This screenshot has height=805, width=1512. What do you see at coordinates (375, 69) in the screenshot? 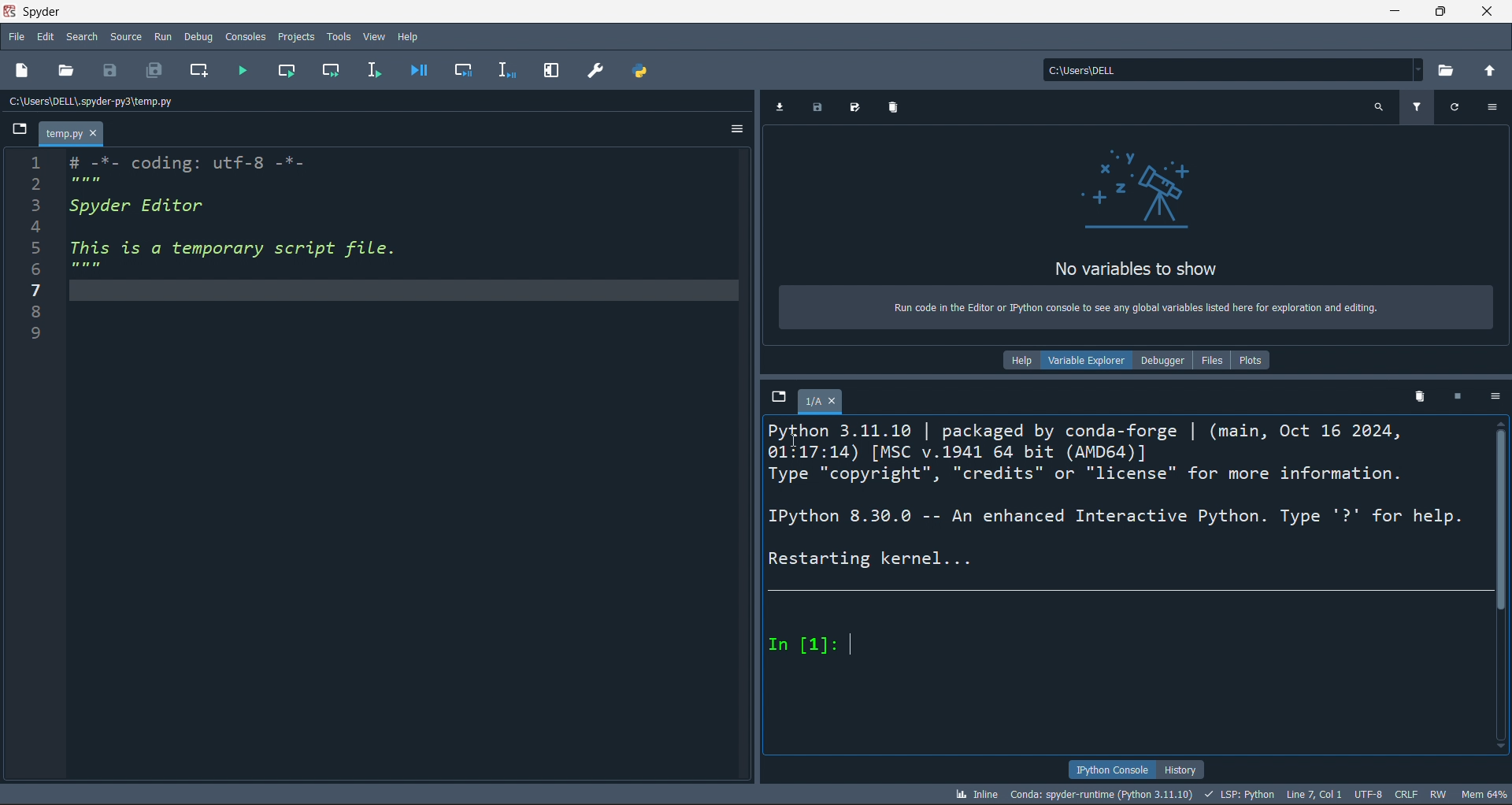
I see `run line` at bounding box center [375, 69].